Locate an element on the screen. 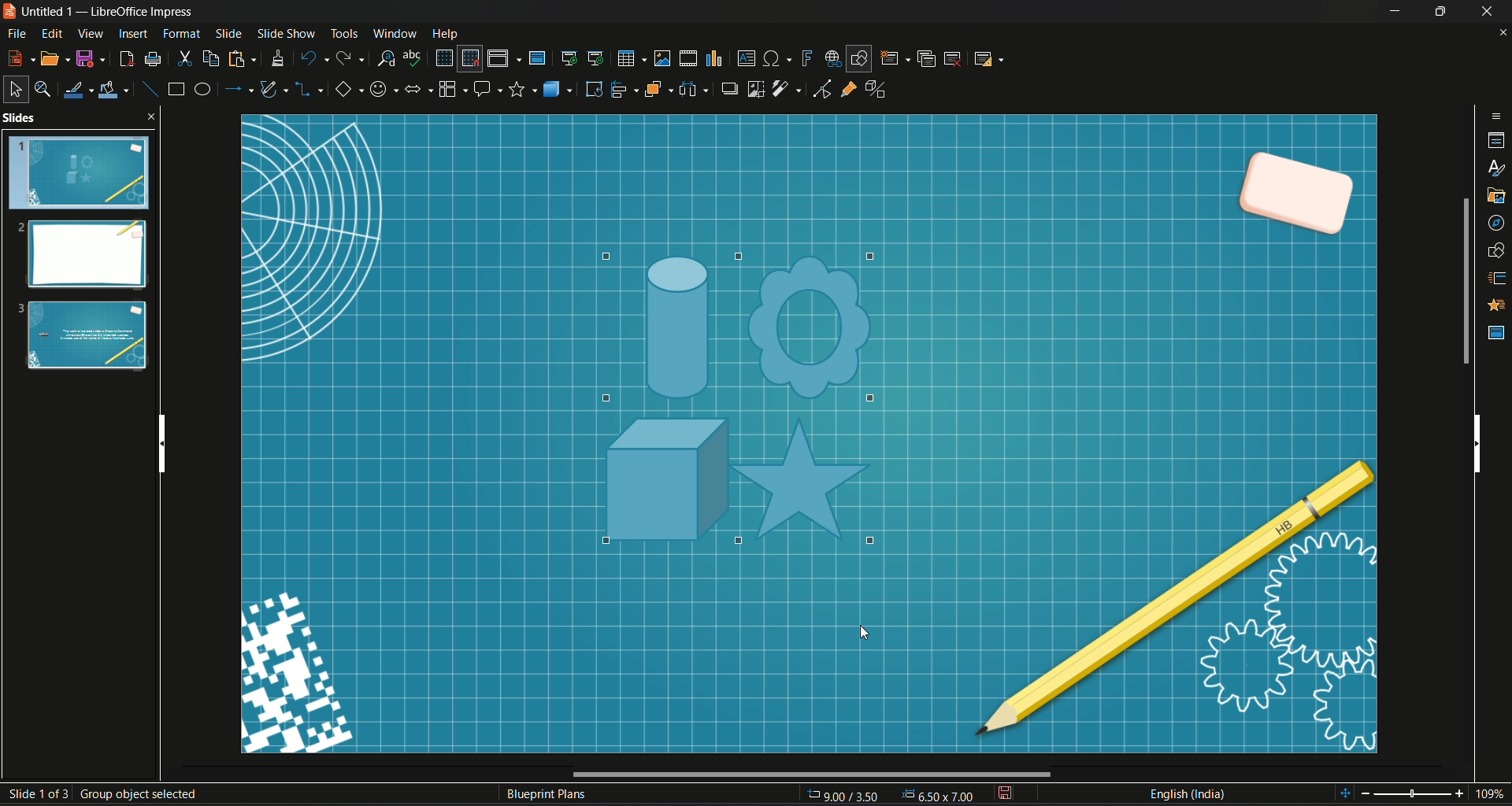 Image resolution: width=1512 pixels, height=806 pixels. 3D objects is located at coordinates (559, 88).